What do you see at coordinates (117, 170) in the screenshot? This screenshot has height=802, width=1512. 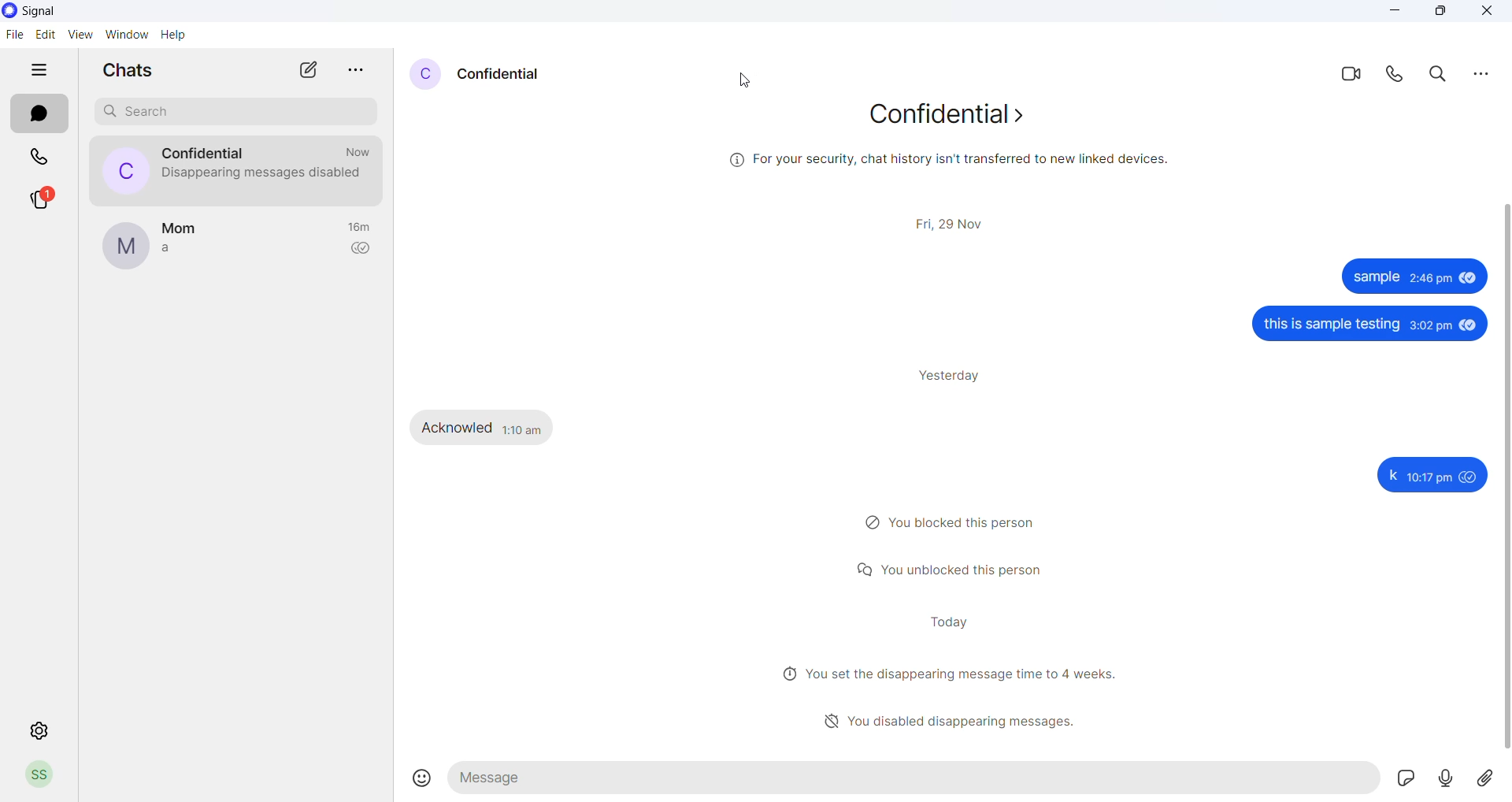 I see `profile picture` at bounding box center [117, 170].